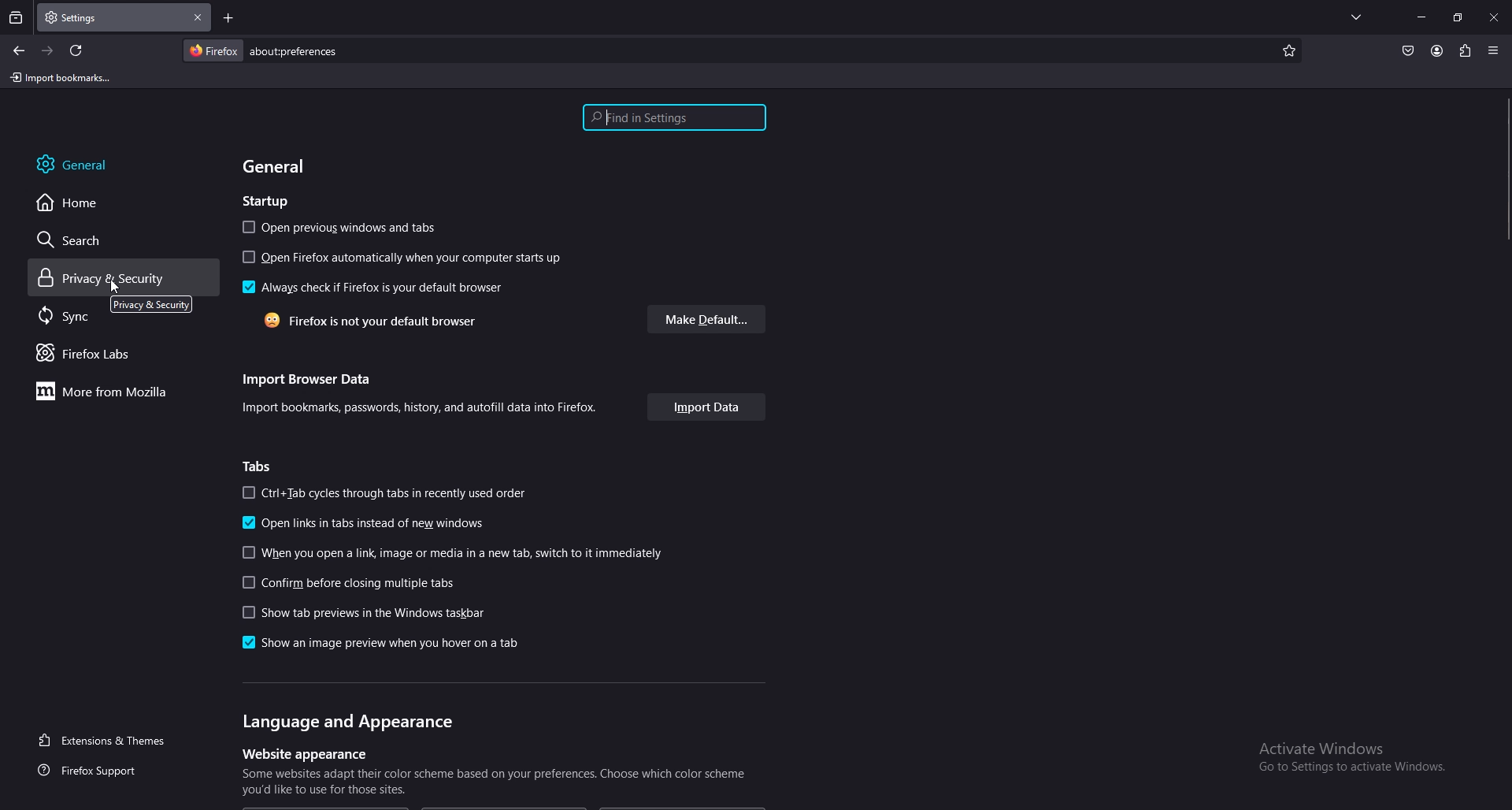 The width and height of the screenshot is (1512, 810). What do you see at coordinates (1464, 50) in the screenshot?
I see `extension` at bounding box center [1464, 50].